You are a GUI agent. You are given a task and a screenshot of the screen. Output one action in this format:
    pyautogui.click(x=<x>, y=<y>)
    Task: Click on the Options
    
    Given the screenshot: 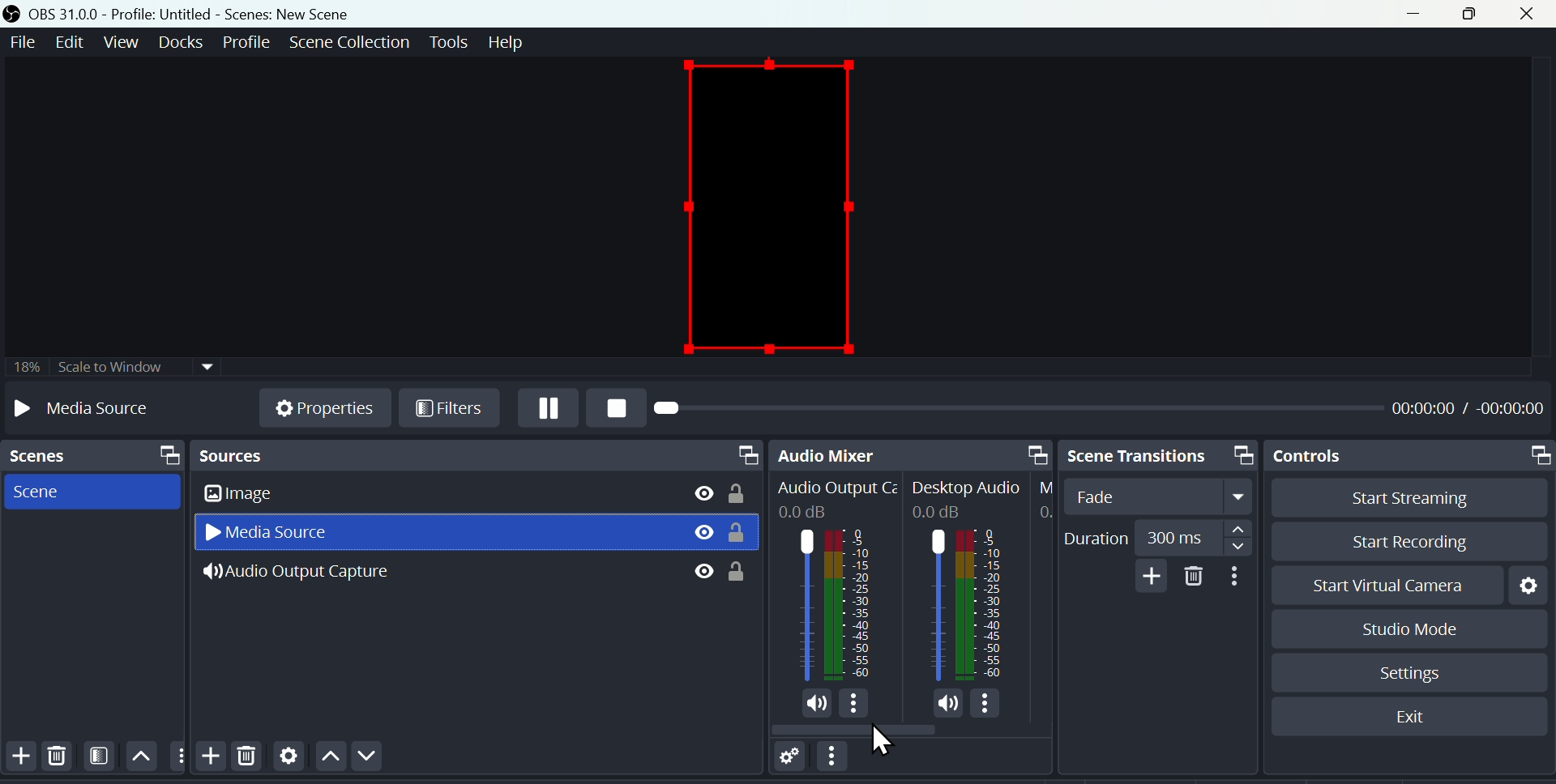 What is the action you would take?
    pyautogui.click(x=986, y=704)
    